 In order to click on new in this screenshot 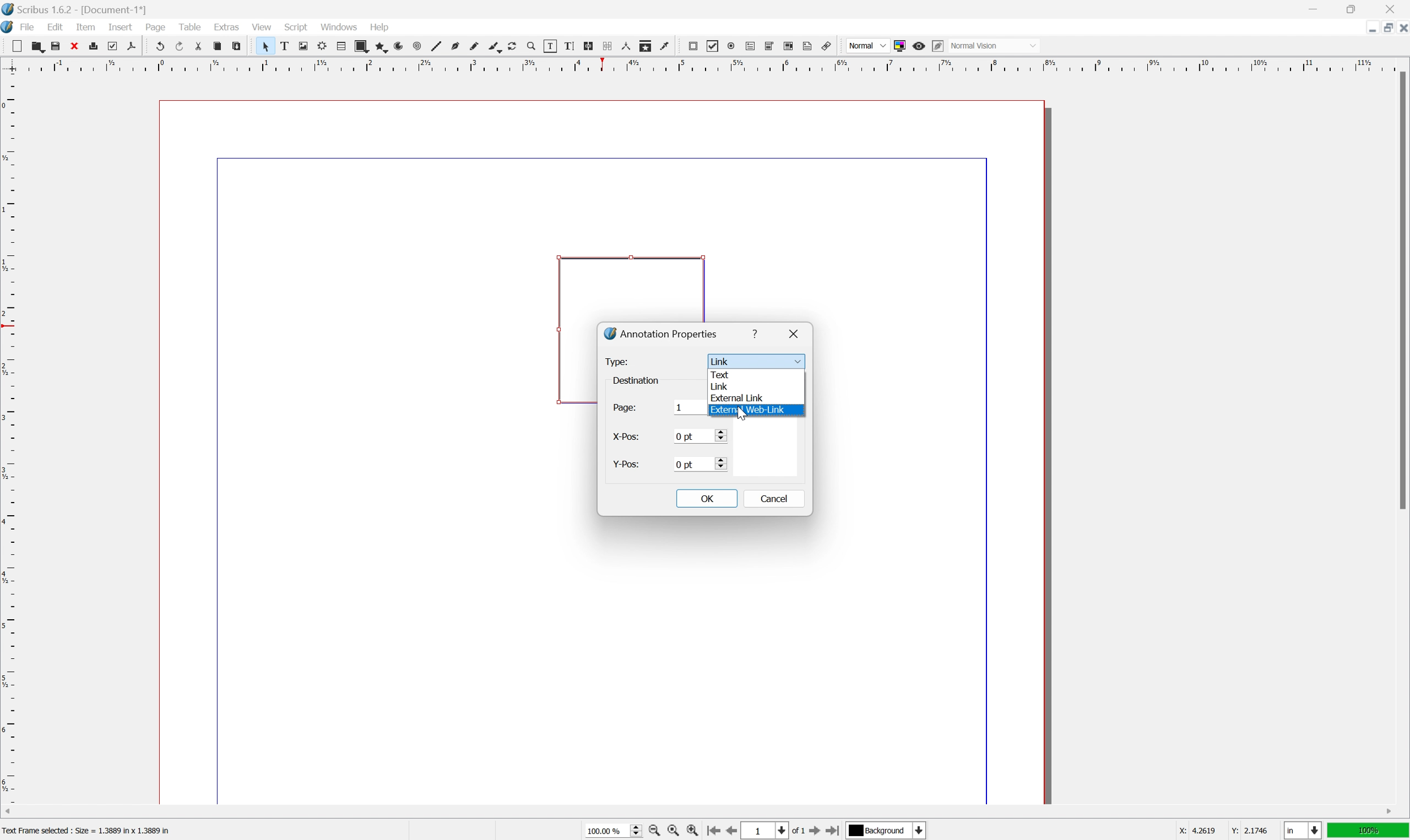, I will do `click(16, 46)`.